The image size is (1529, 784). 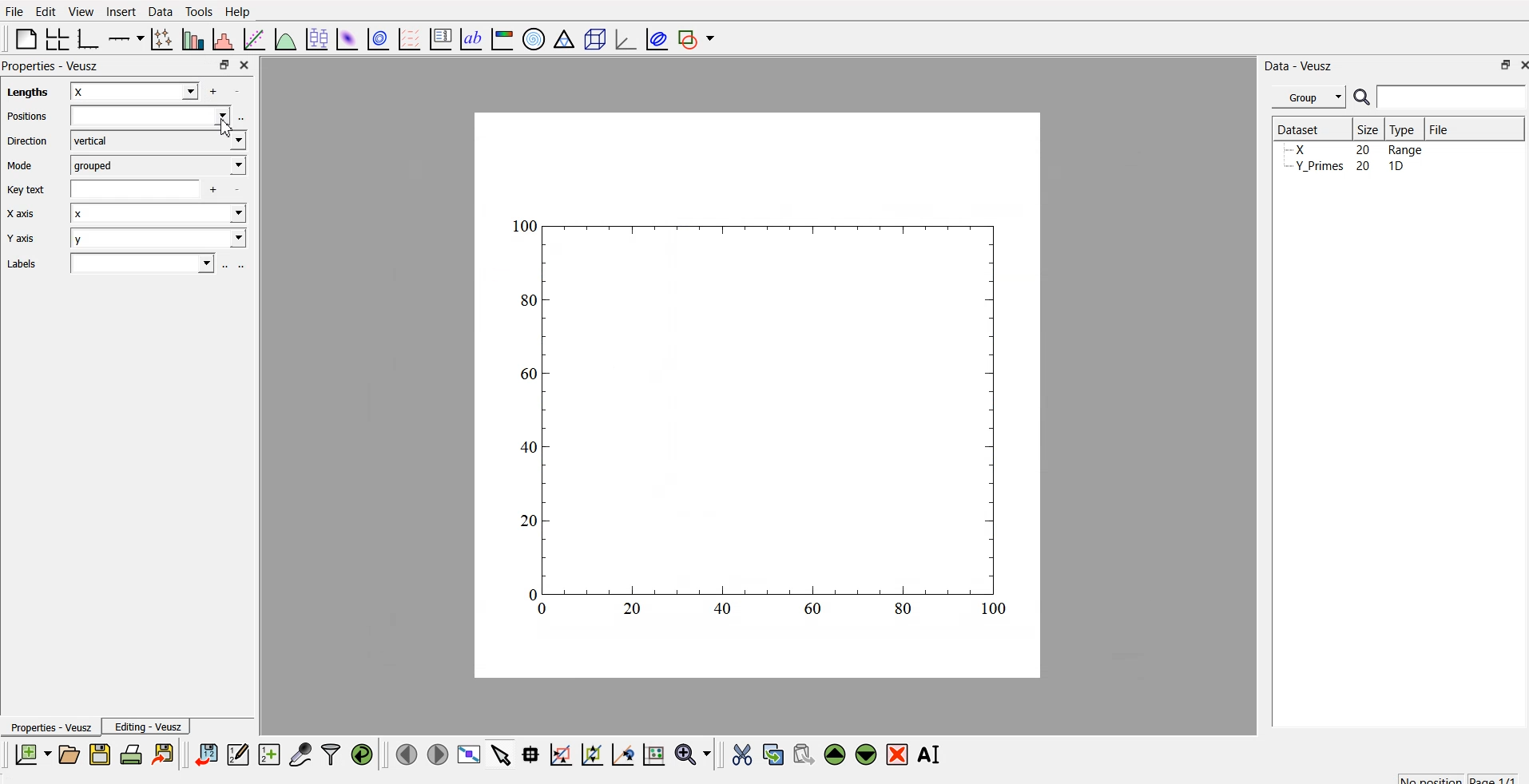 I want to click on text label, so click(x=469, y=39).